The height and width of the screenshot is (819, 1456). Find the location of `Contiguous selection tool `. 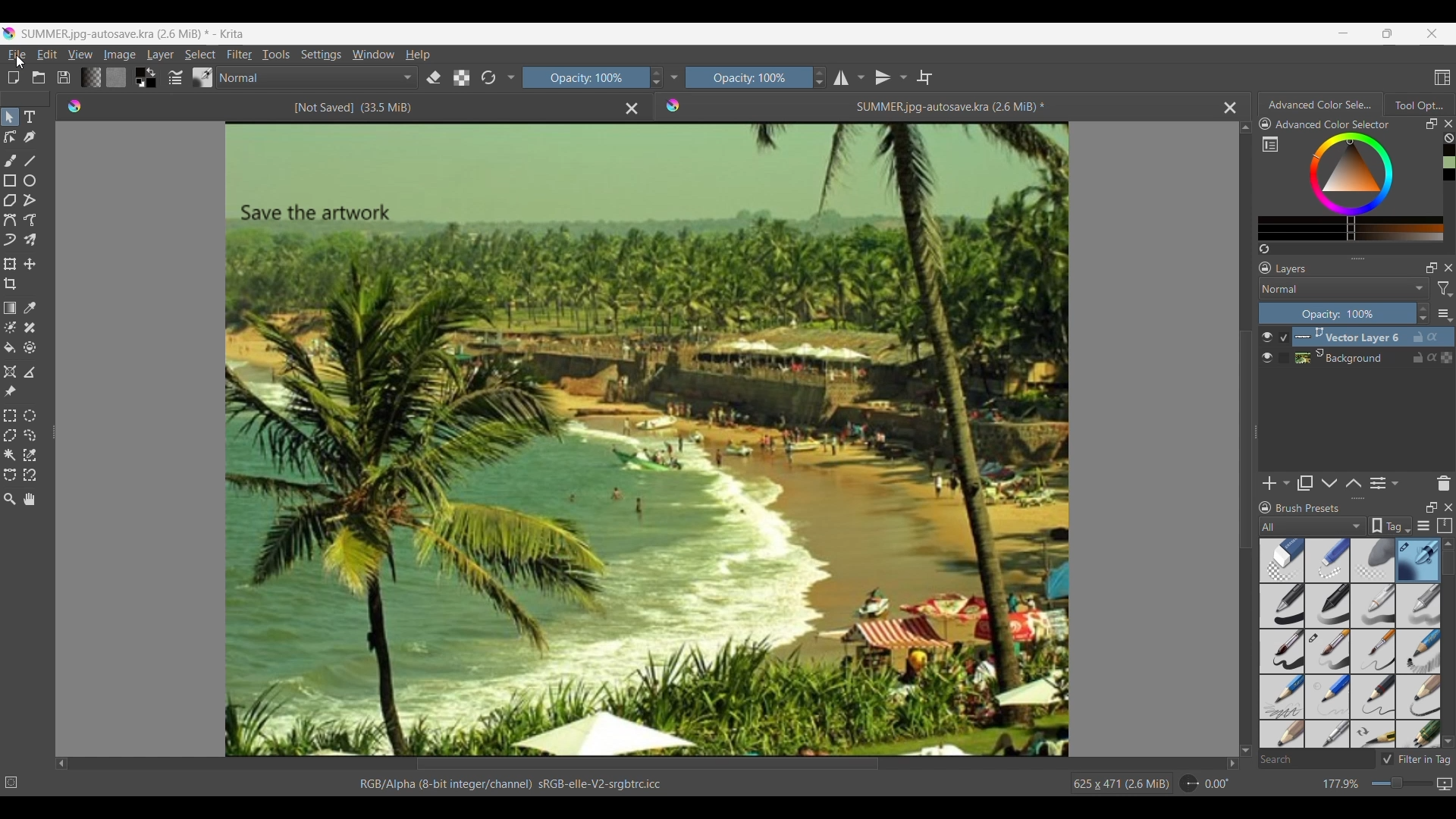

Contiguous selection tool  is located at coordinates (9, 455).